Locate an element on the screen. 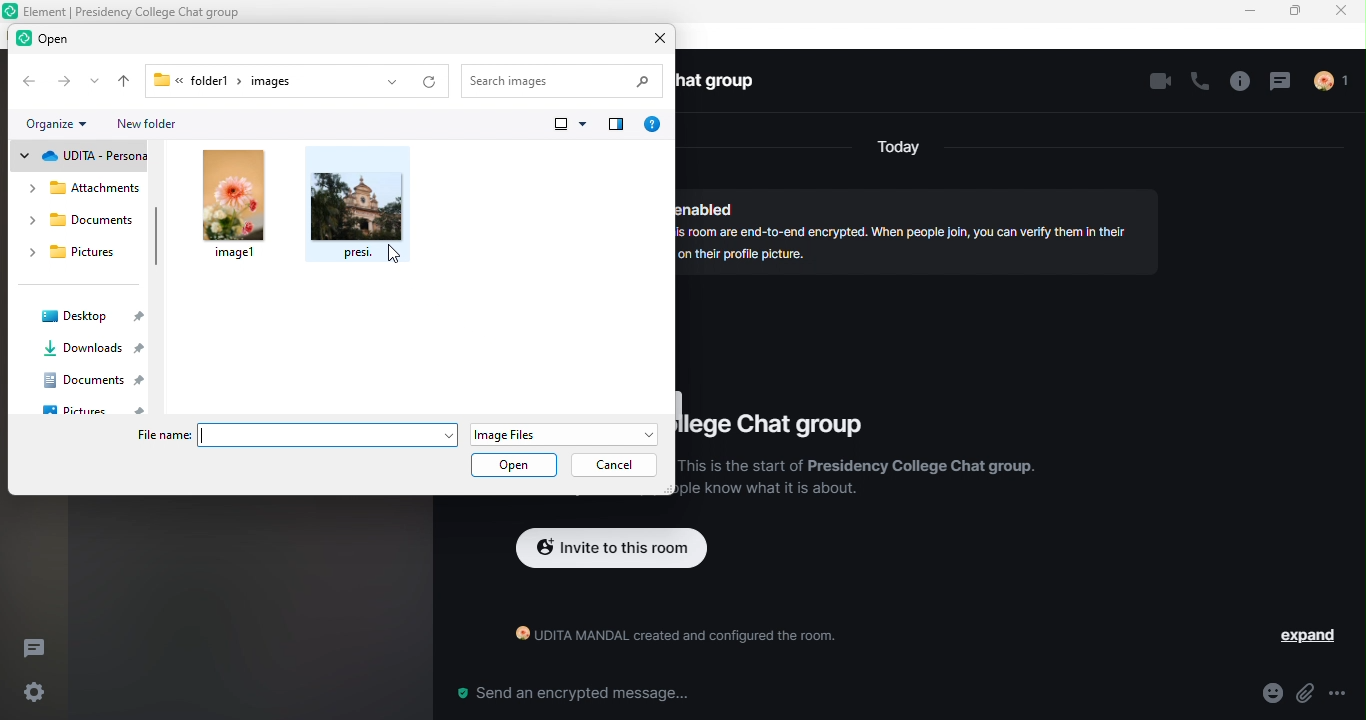 The height and width of the screenshot is (720, 1366). presi is located at coordinates (361, 208).